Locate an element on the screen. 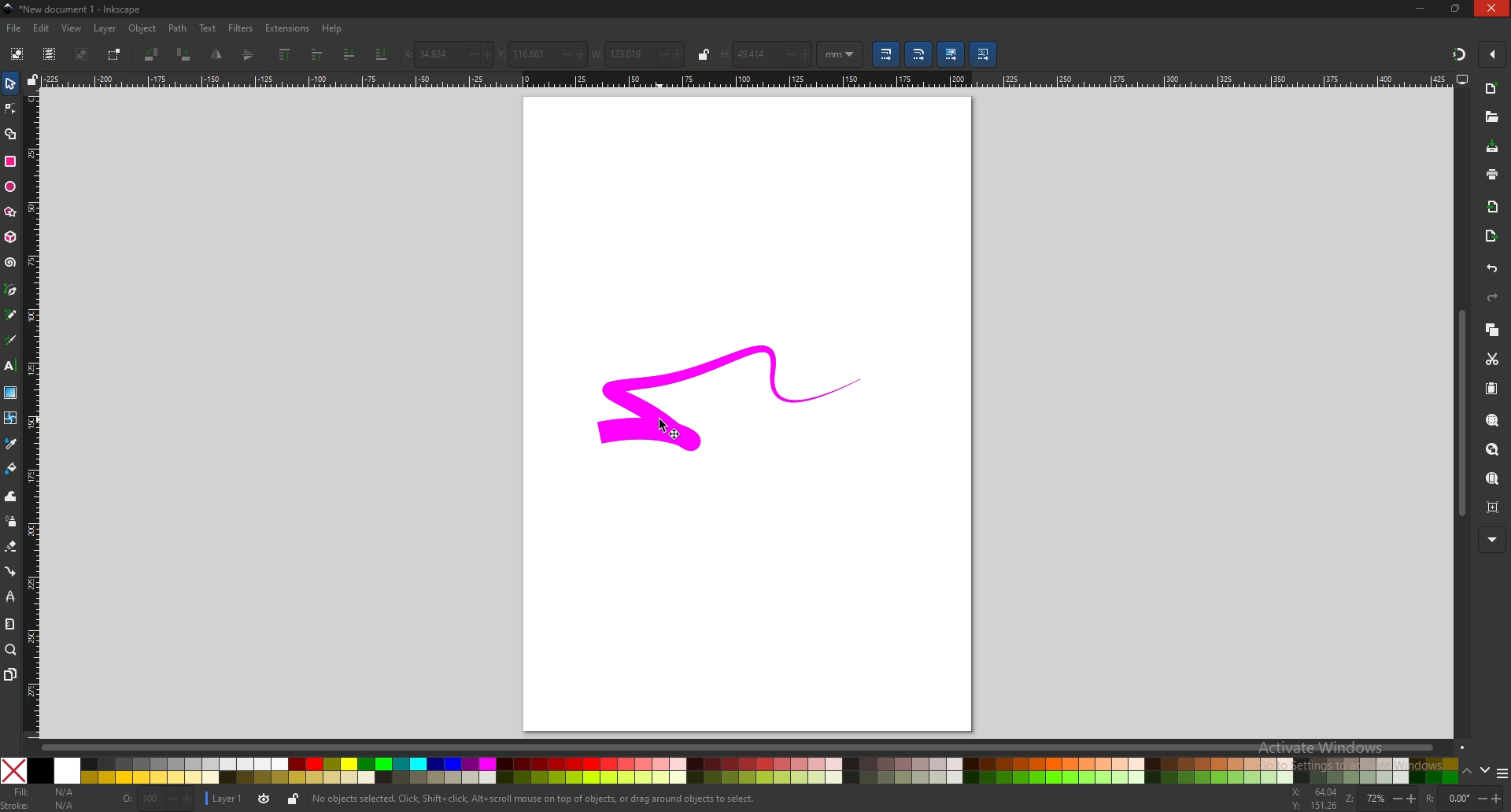 The image size is (1511, 812). flip horizontally is located at coordinates (251, 55).